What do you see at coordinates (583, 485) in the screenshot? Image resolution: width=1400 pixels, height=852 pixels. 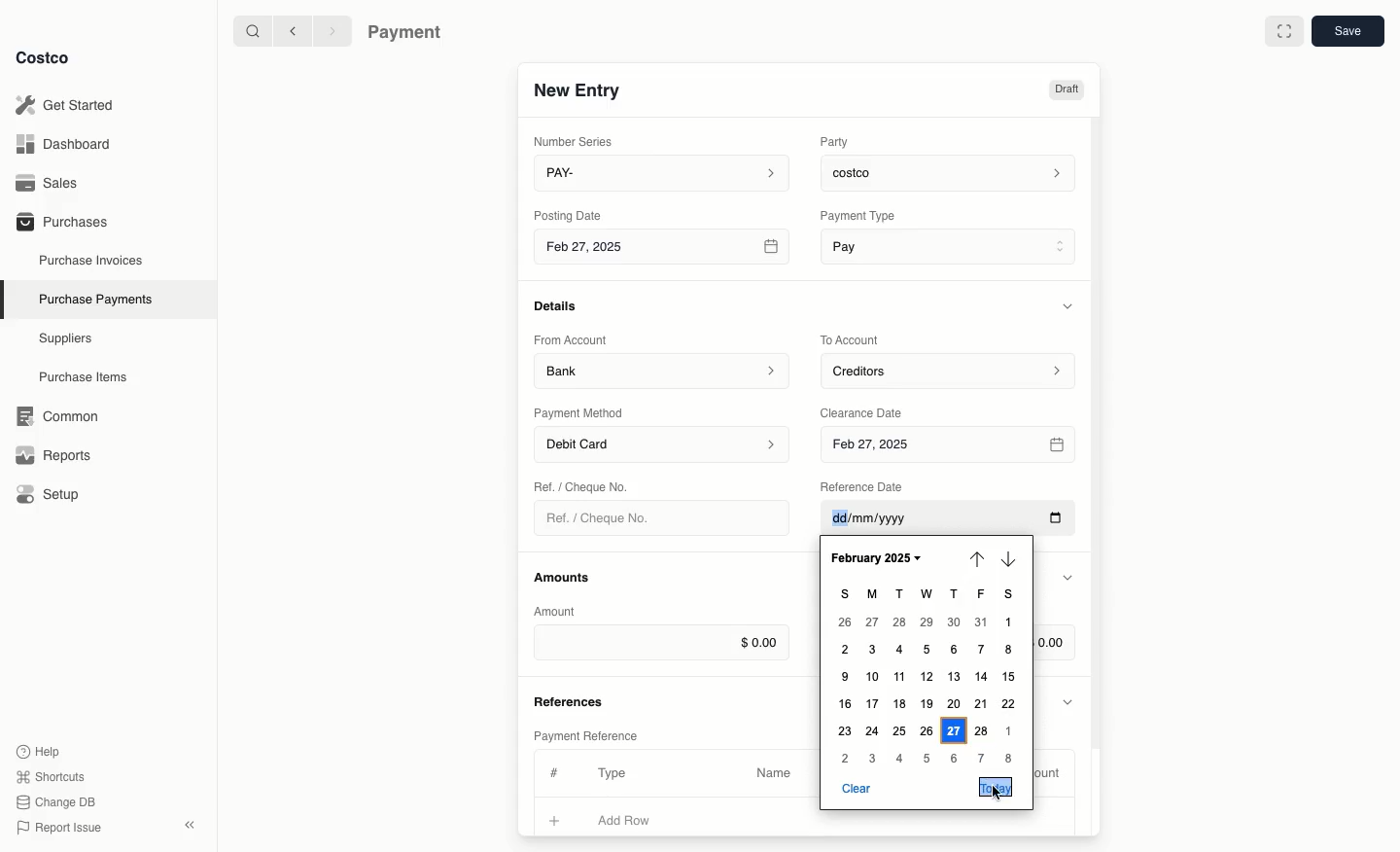 I see `Ret. / Cheque No.` at bounding box center [583, 485].